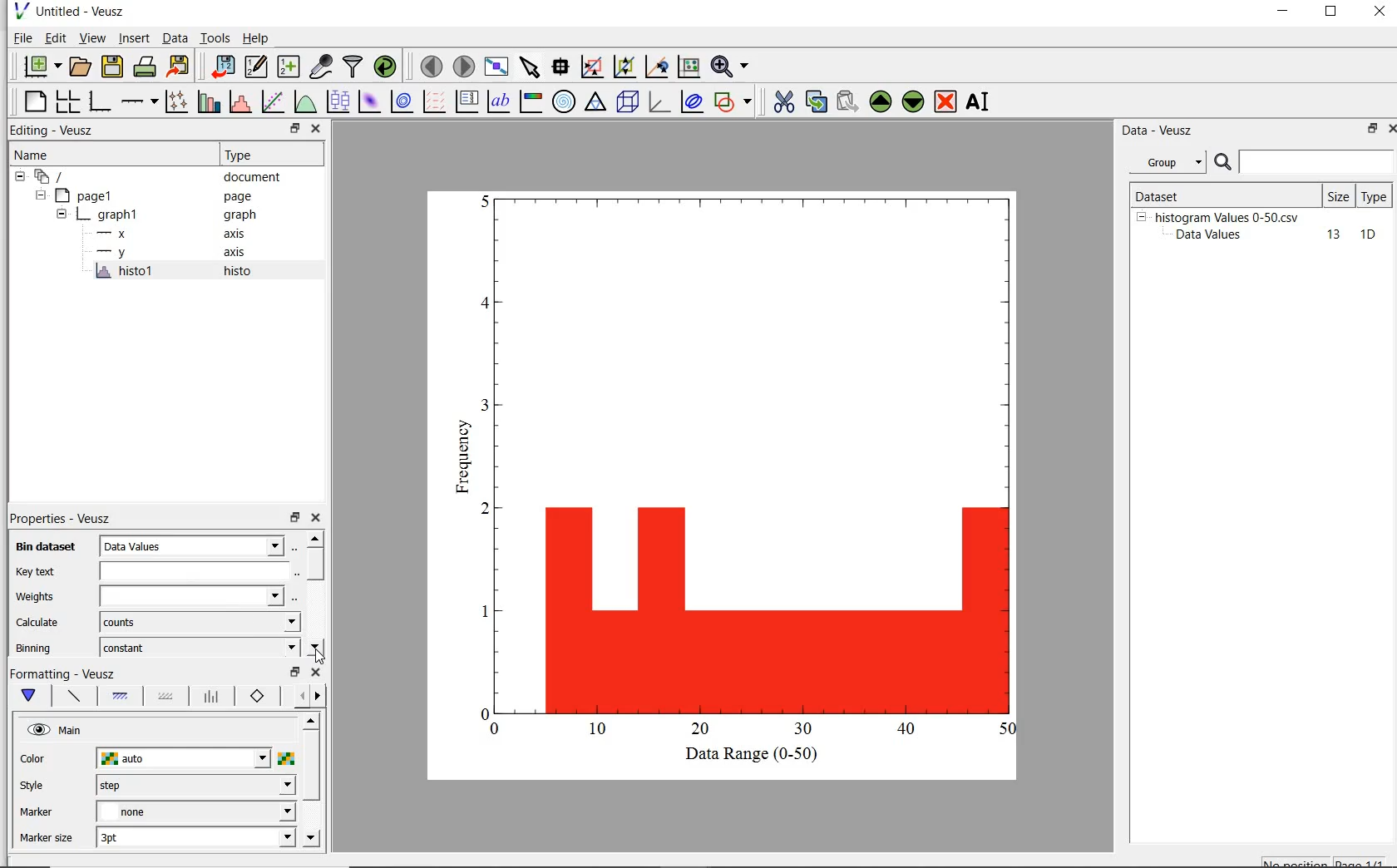  What do you see at coordinates (57, 731) in the screenshot?
I see `hide main` at bounding box center [57, 731].